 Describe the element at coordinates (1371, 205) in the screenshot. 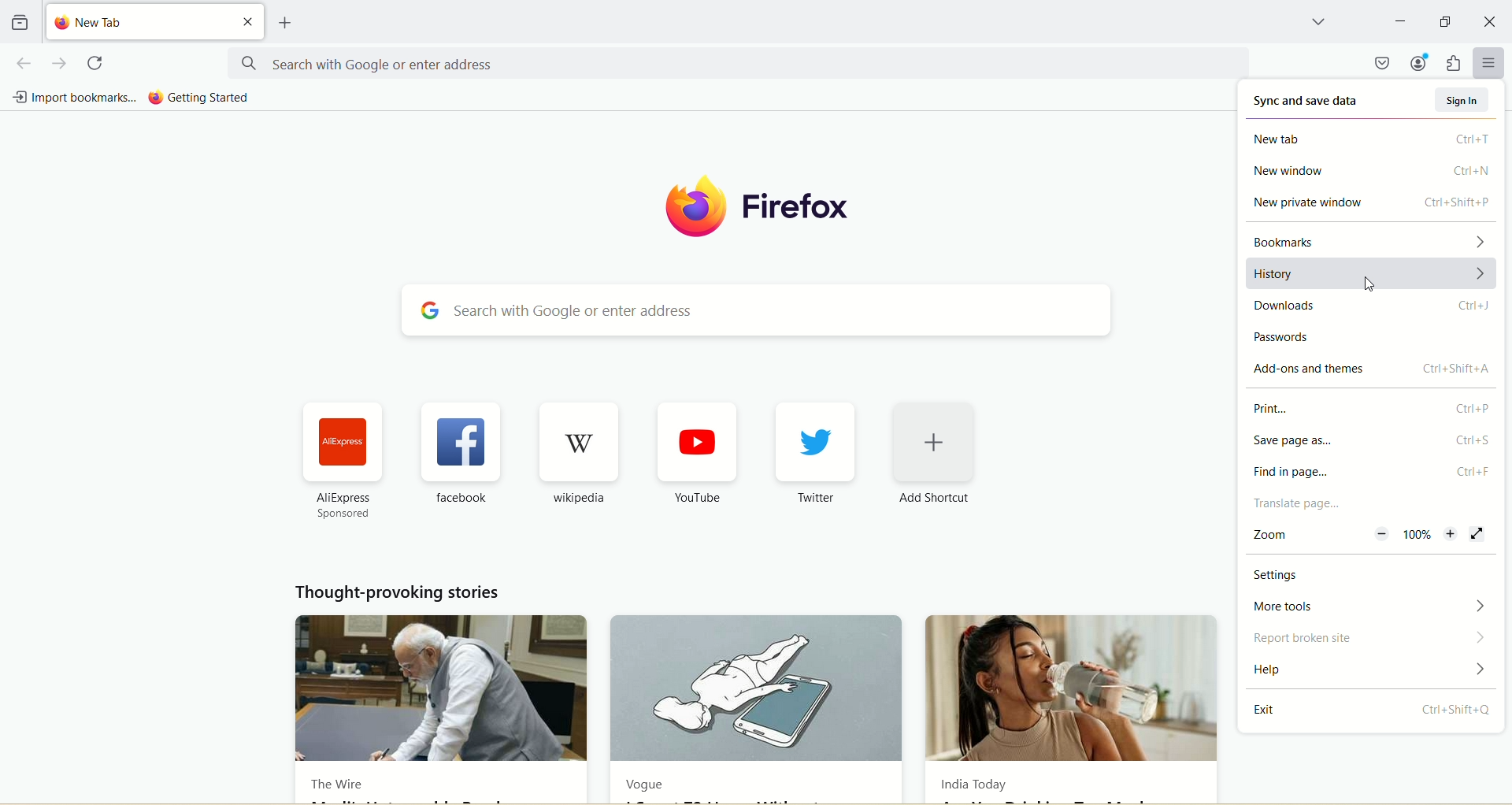

I see `new private window` at that location.